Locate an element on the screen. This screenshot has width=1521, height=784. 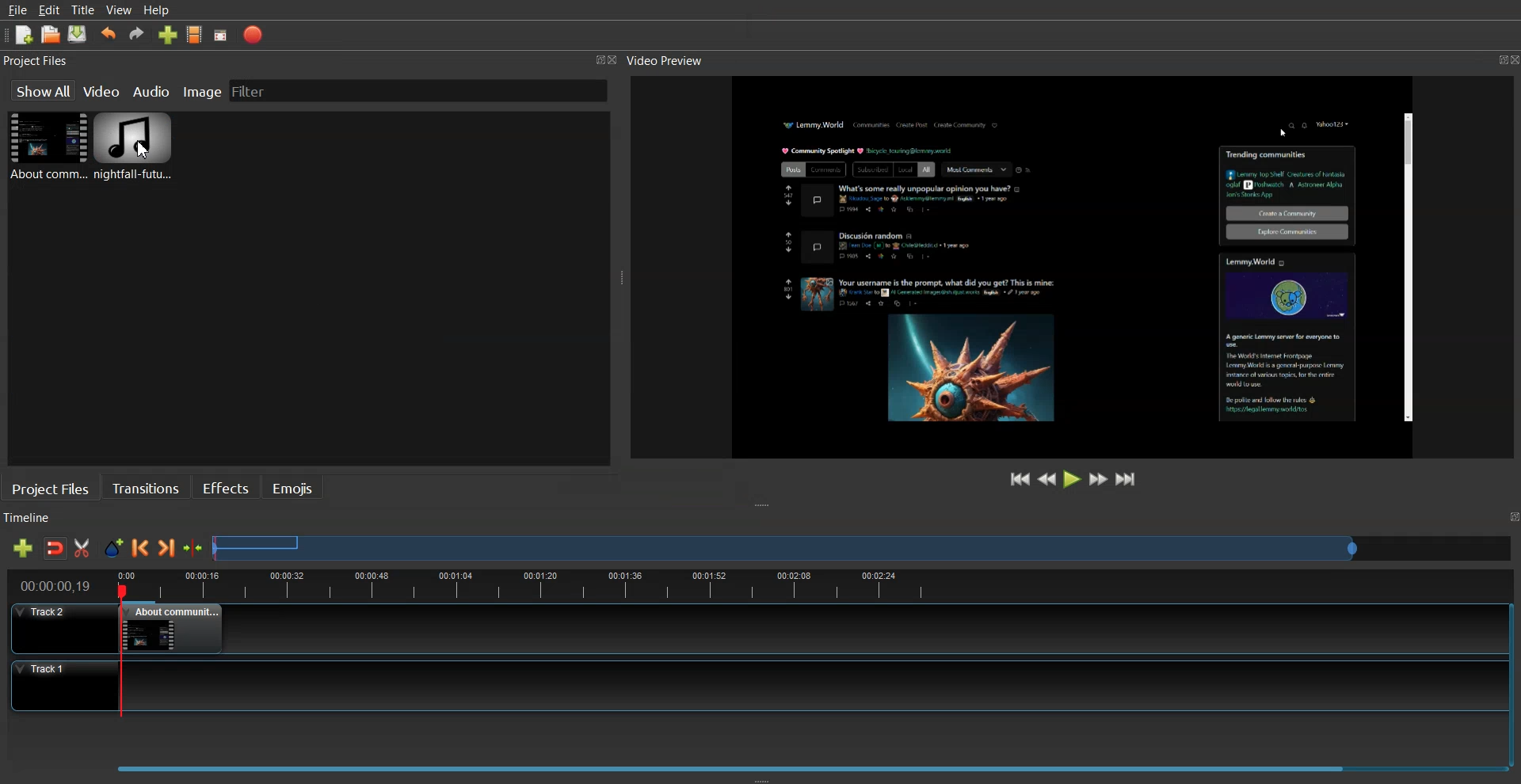
Track 1 is located at coordinates (748, 686).